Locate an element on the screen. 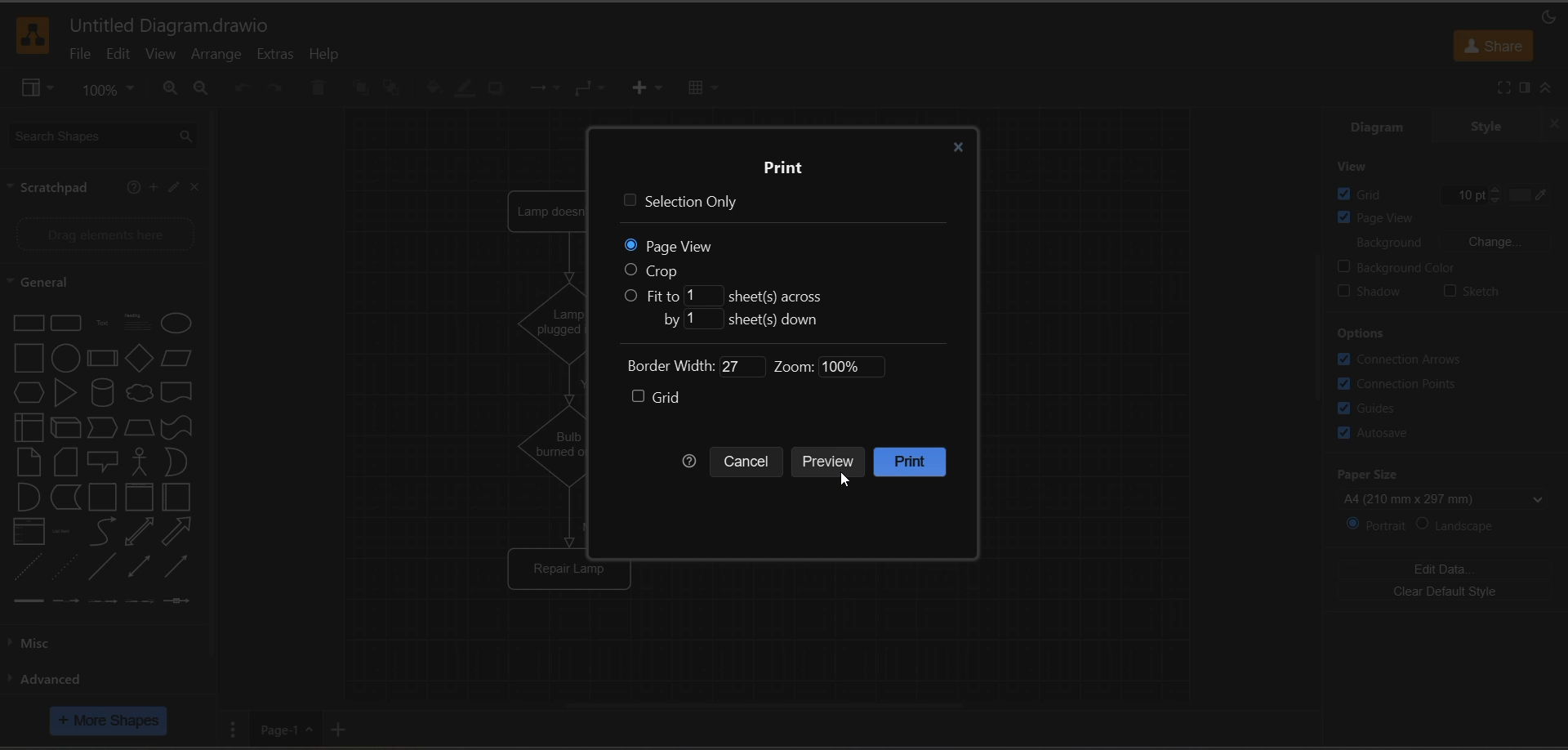  page options is located at coordinates (231, 728).